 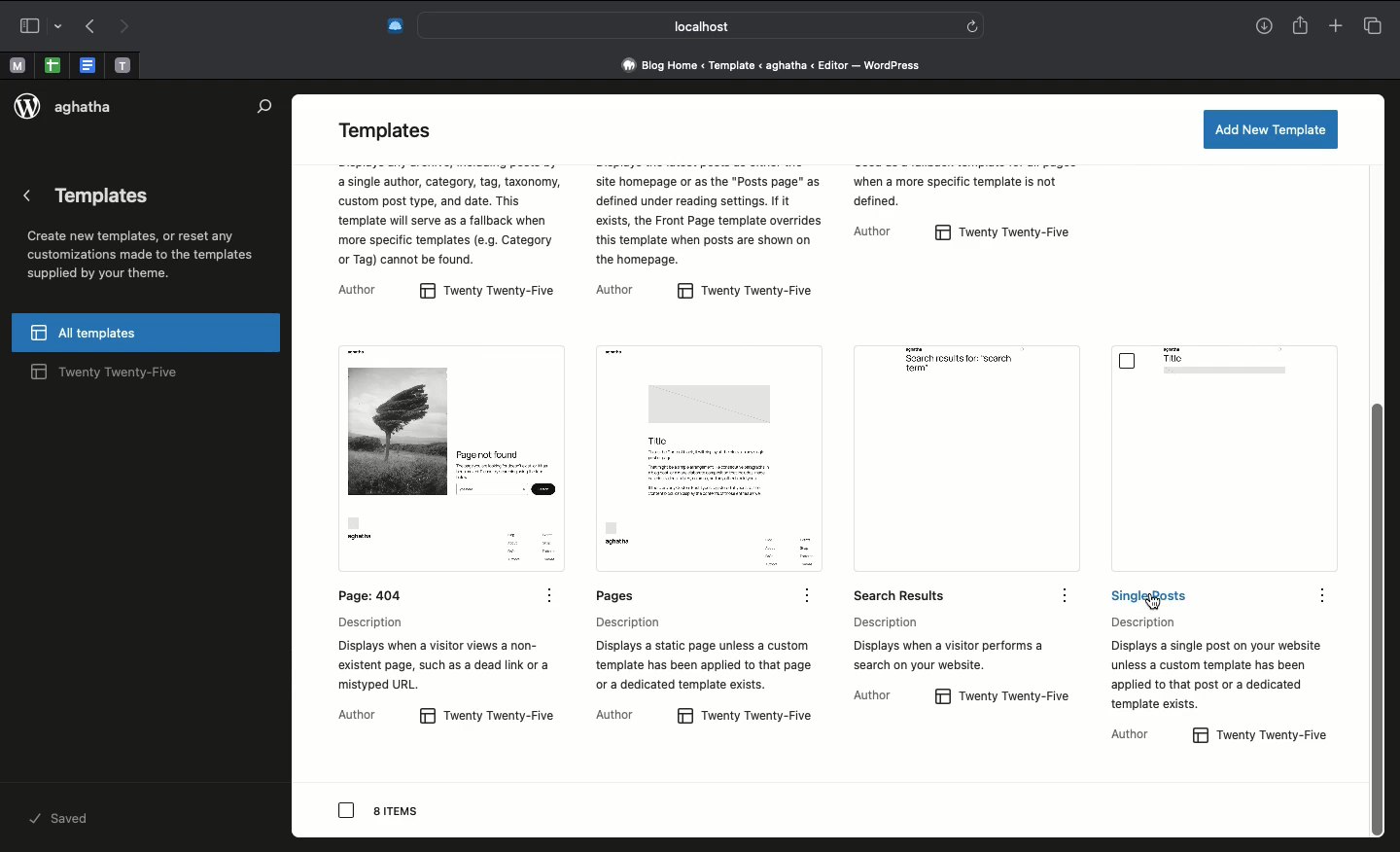 What do you see at coordinates (393, 25) in the screenshot?
I see `Extensions` at bounding box center [393, 25].